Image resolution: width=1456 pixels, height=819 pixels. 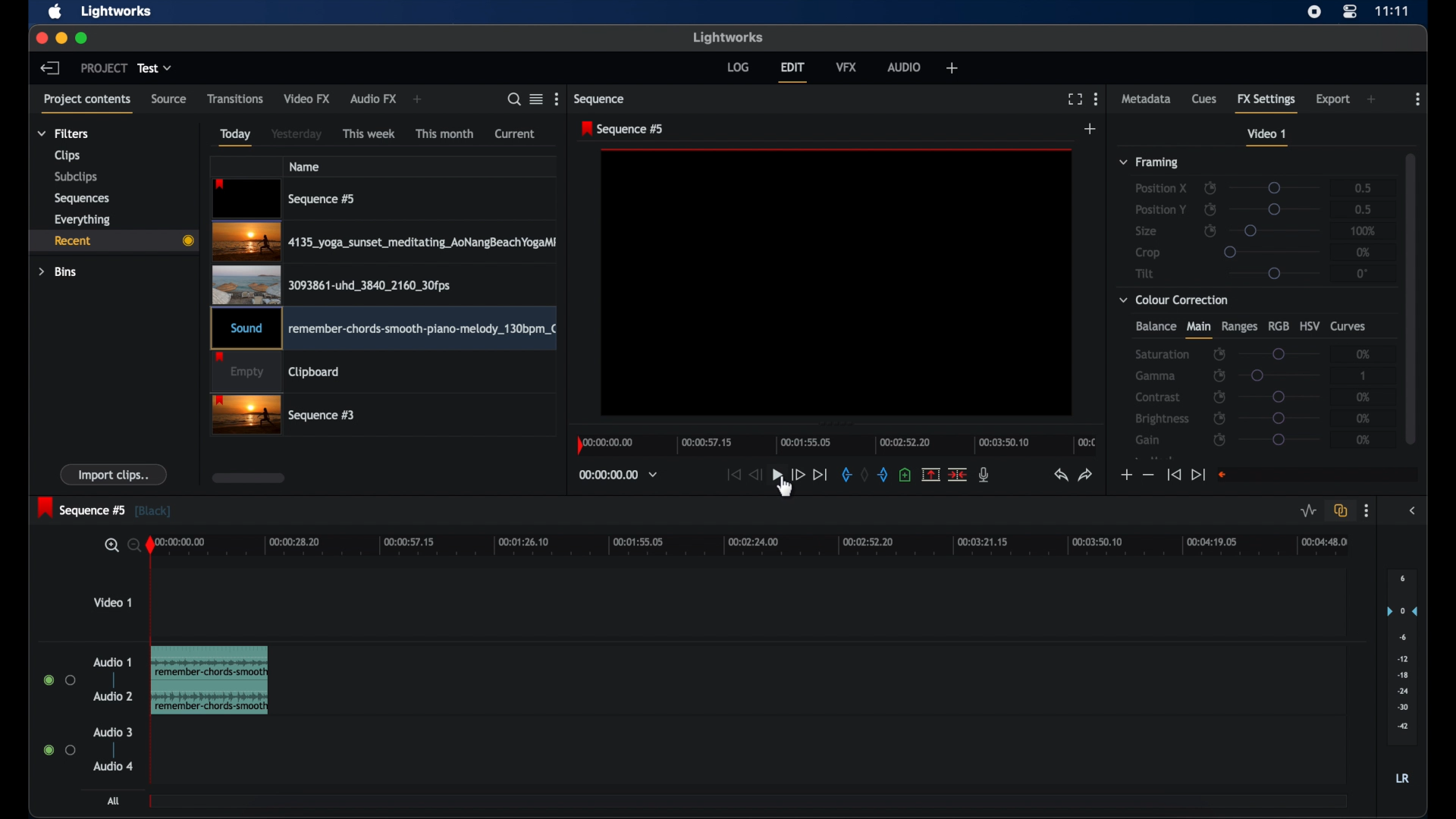 What do you see at coordinates (1332, 100) in the screenshot?
I see `export` at bounding box center [1332, 100].